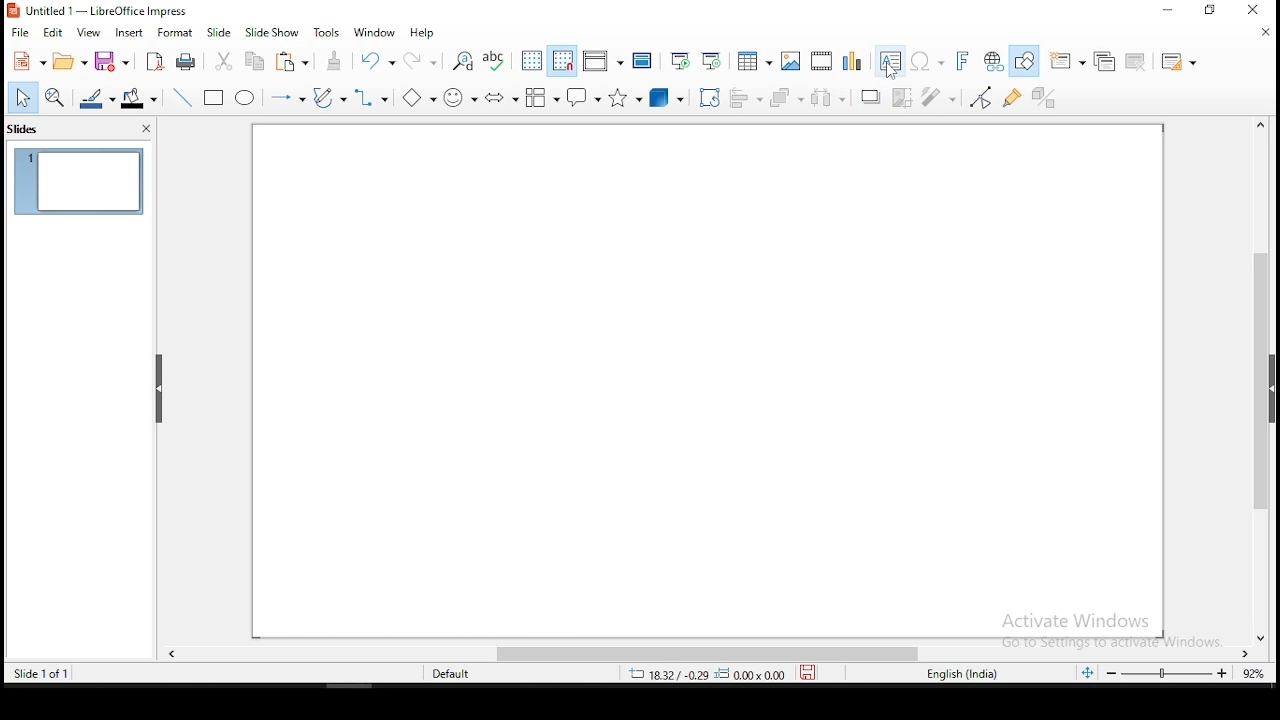  What do you see at coordinates (23, 97) in the screenshot?
I see `select tool` at bounding box center [23, 97].